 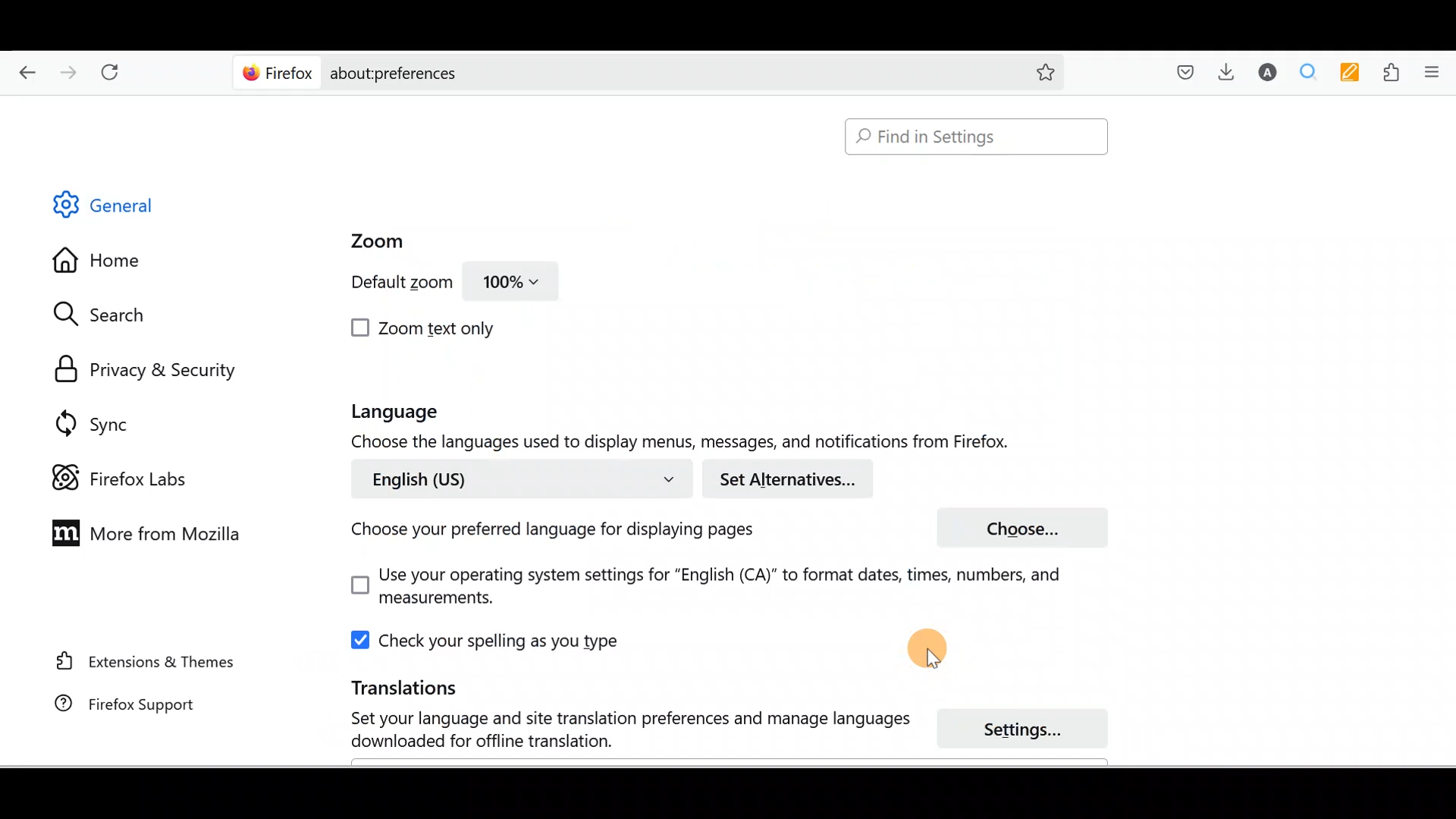 What do you see at coordinates (1395, 73) in the screenshot?
I see `Extensions` at bounding box center [1395, 73].